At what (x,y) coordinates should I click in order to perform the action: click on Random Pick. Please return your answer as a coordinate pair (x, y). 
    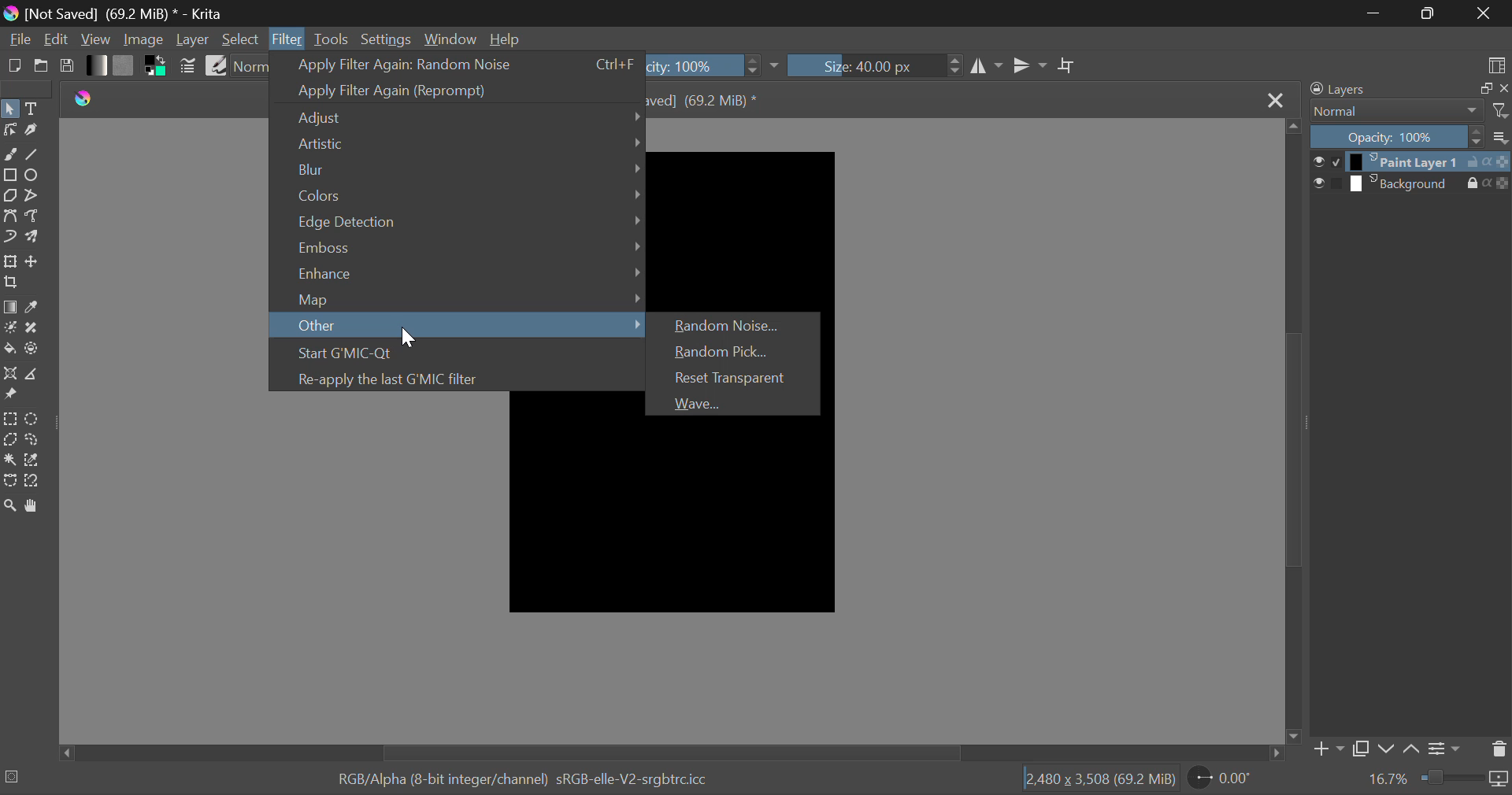
    Looking at the image, I should click on (732, 350).